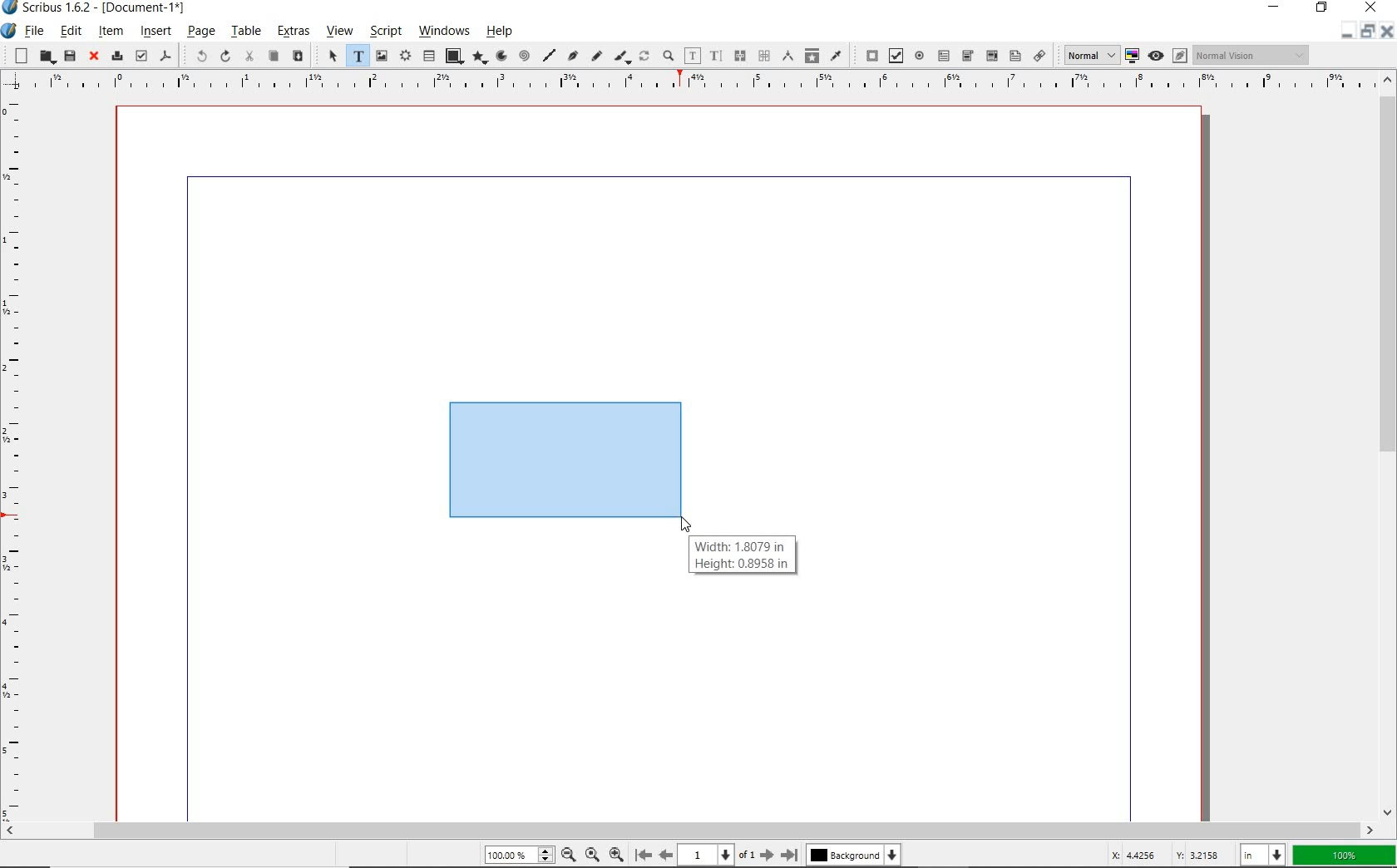 The height and width of the screenshot is (868, 1397). Describe the element at coordinates (499, 33) in the screenshot. I see `help` at that location.